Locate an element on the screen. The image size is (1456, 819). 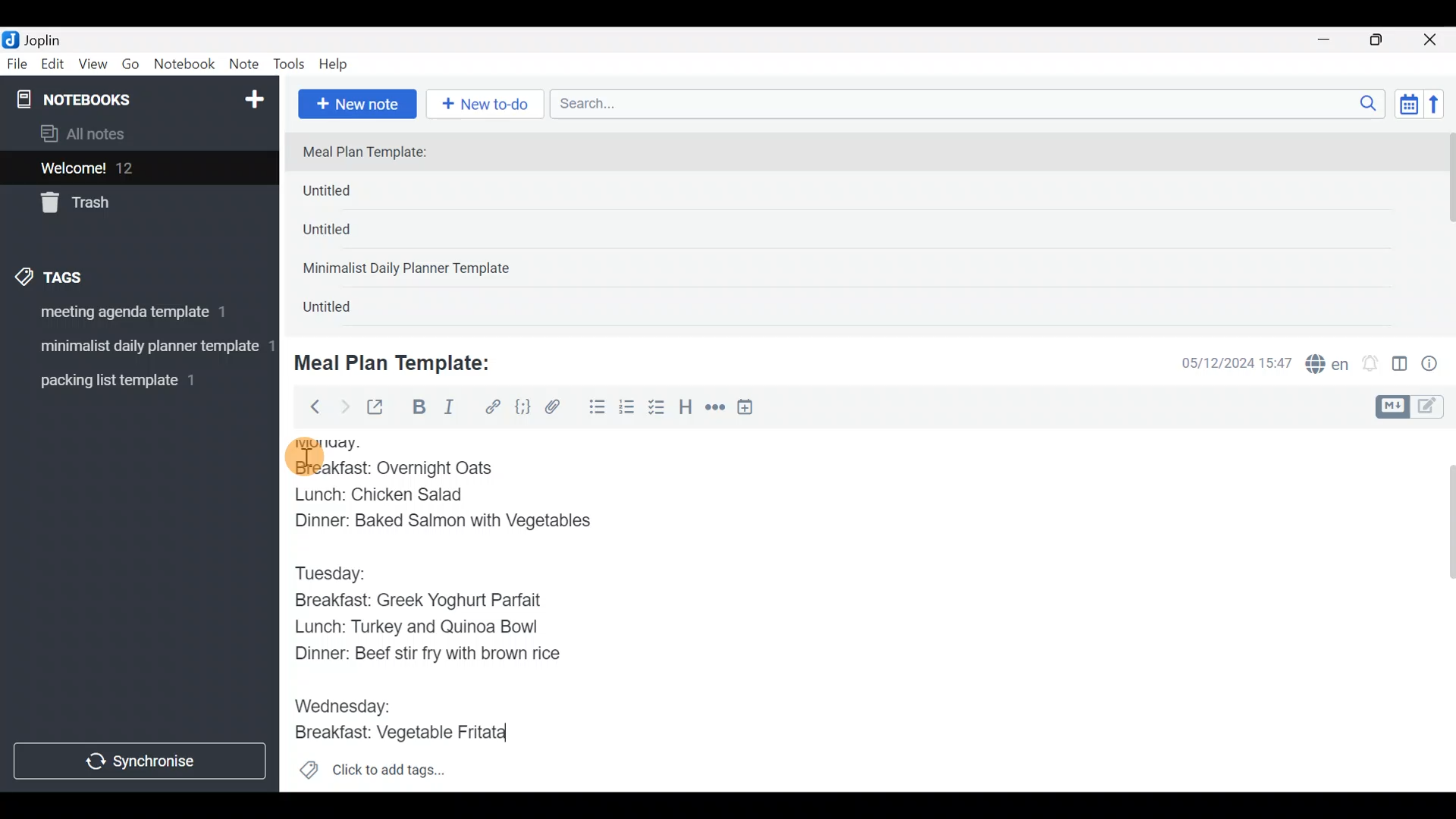
Untitled is located at coordinates (344, 310).